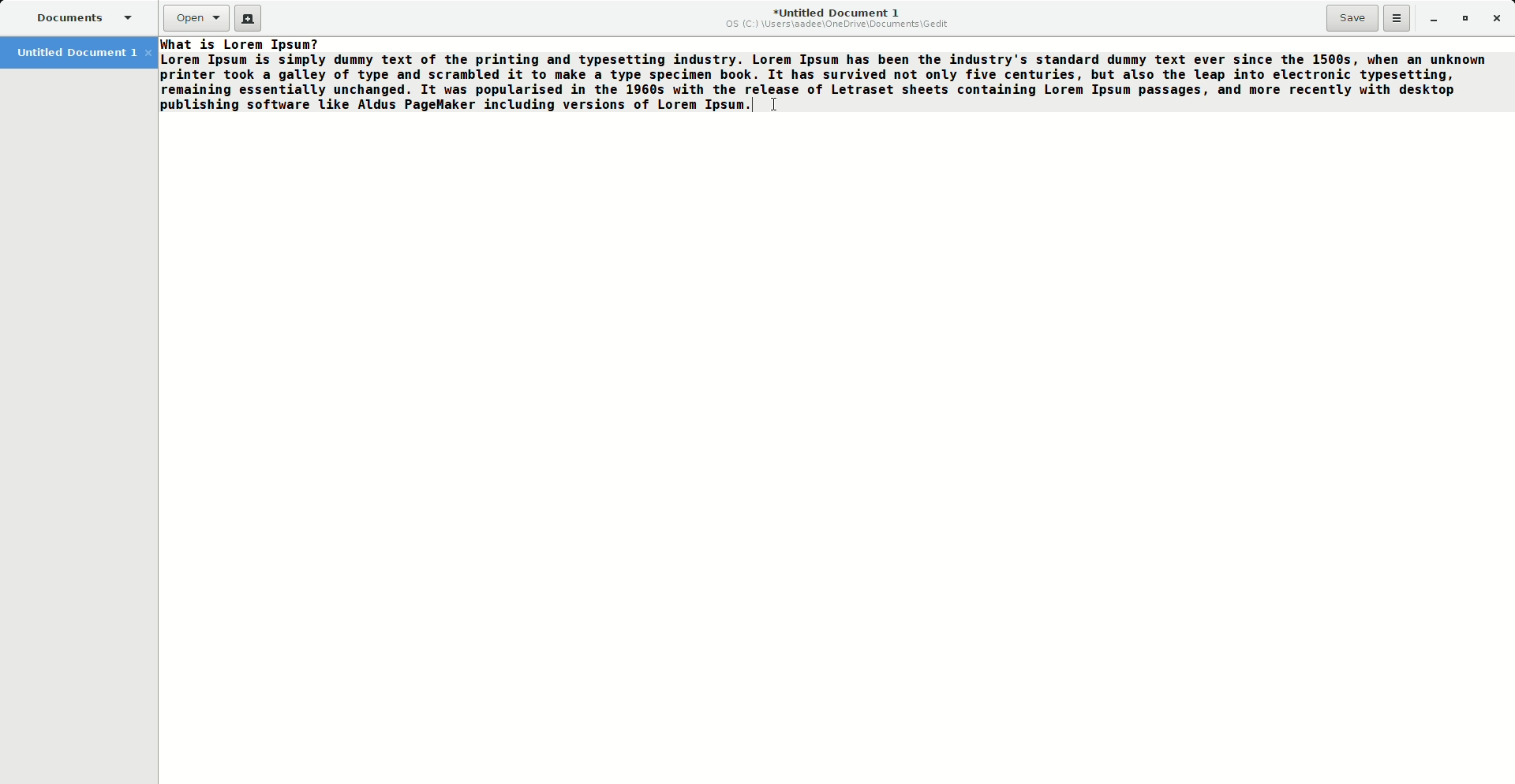 Image resolution: width=1515 pixels, height=784 pixels. Describe the element at coordinates (196, 18) in the screenshot. I see `Open` at that location.